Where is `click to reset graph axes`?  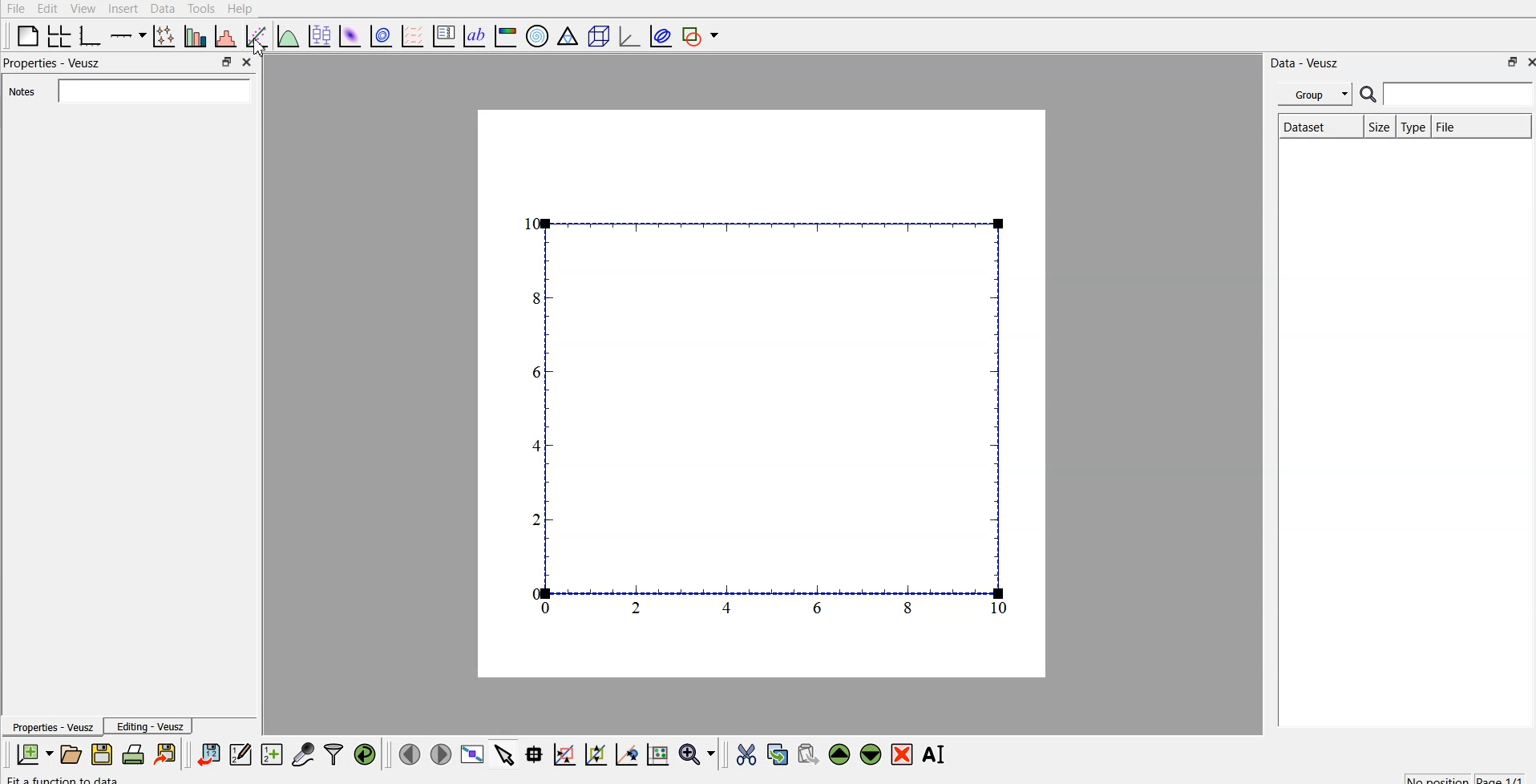 click to reset graph axes is located at coordinates (659, 754).